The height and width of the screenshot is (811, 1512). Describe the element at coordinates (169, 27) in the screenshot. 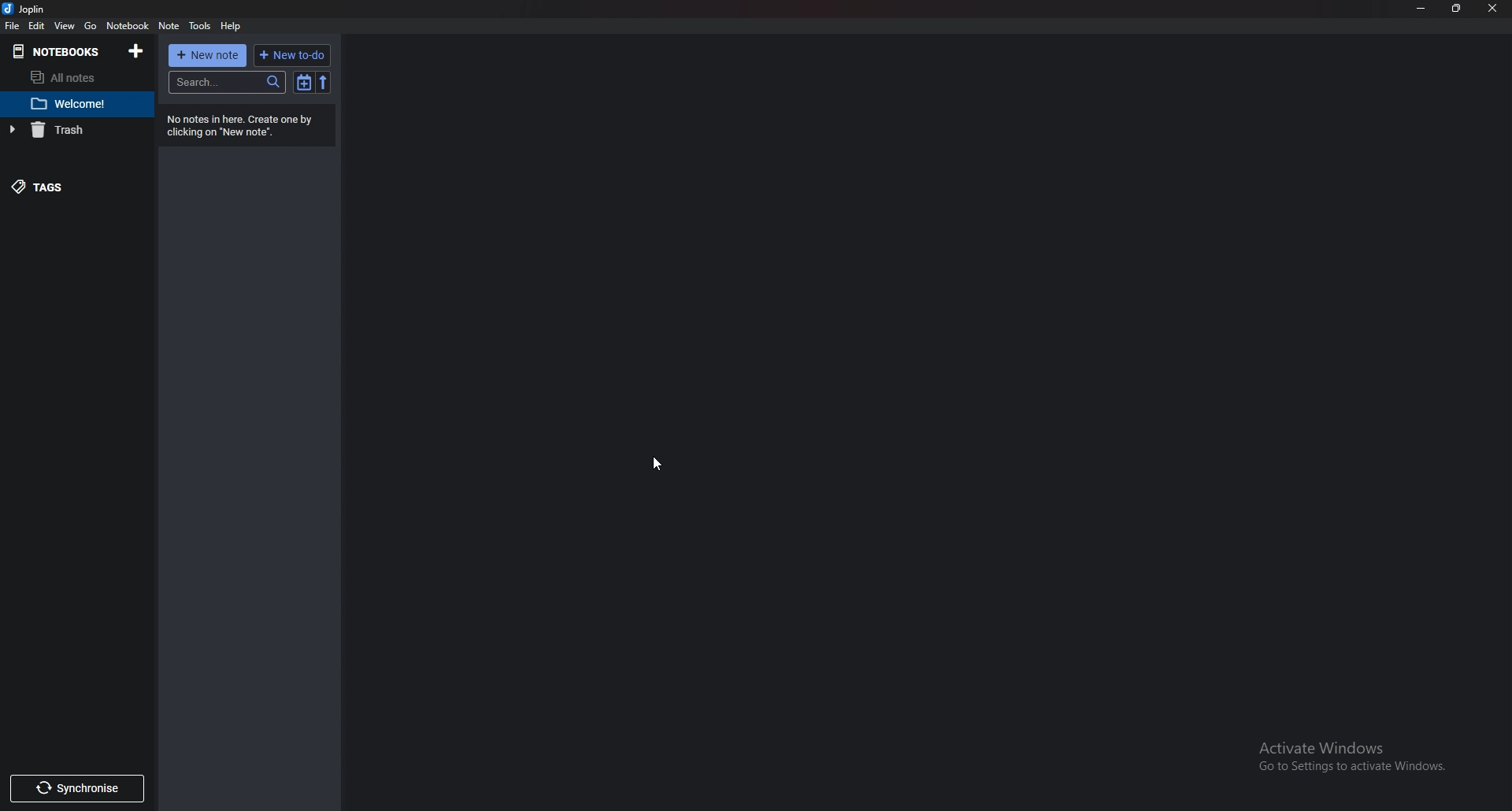

I see `note` at that location.